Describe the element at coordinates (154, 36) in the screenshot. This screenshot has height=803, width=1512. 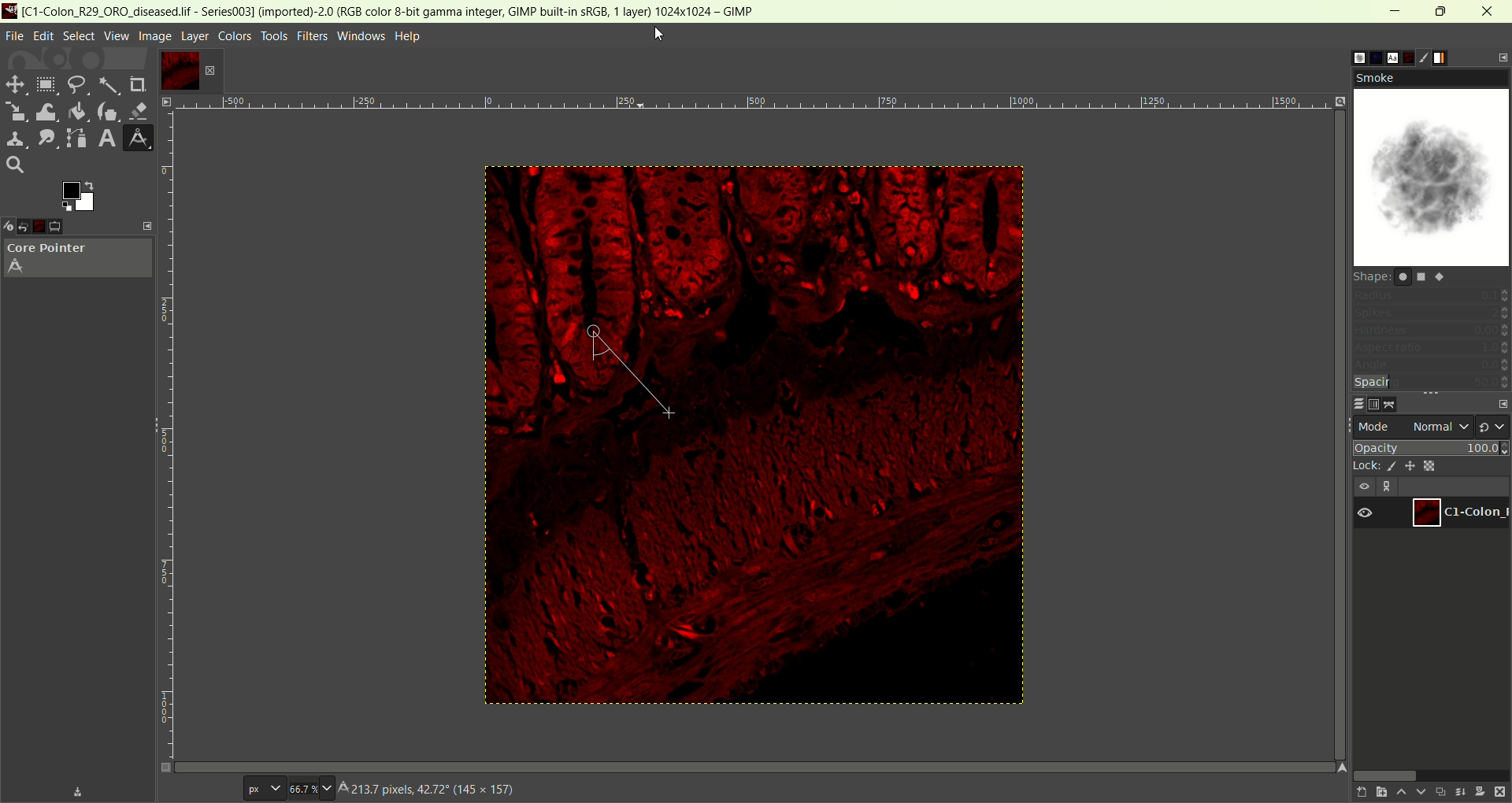
I see `image` at that location.